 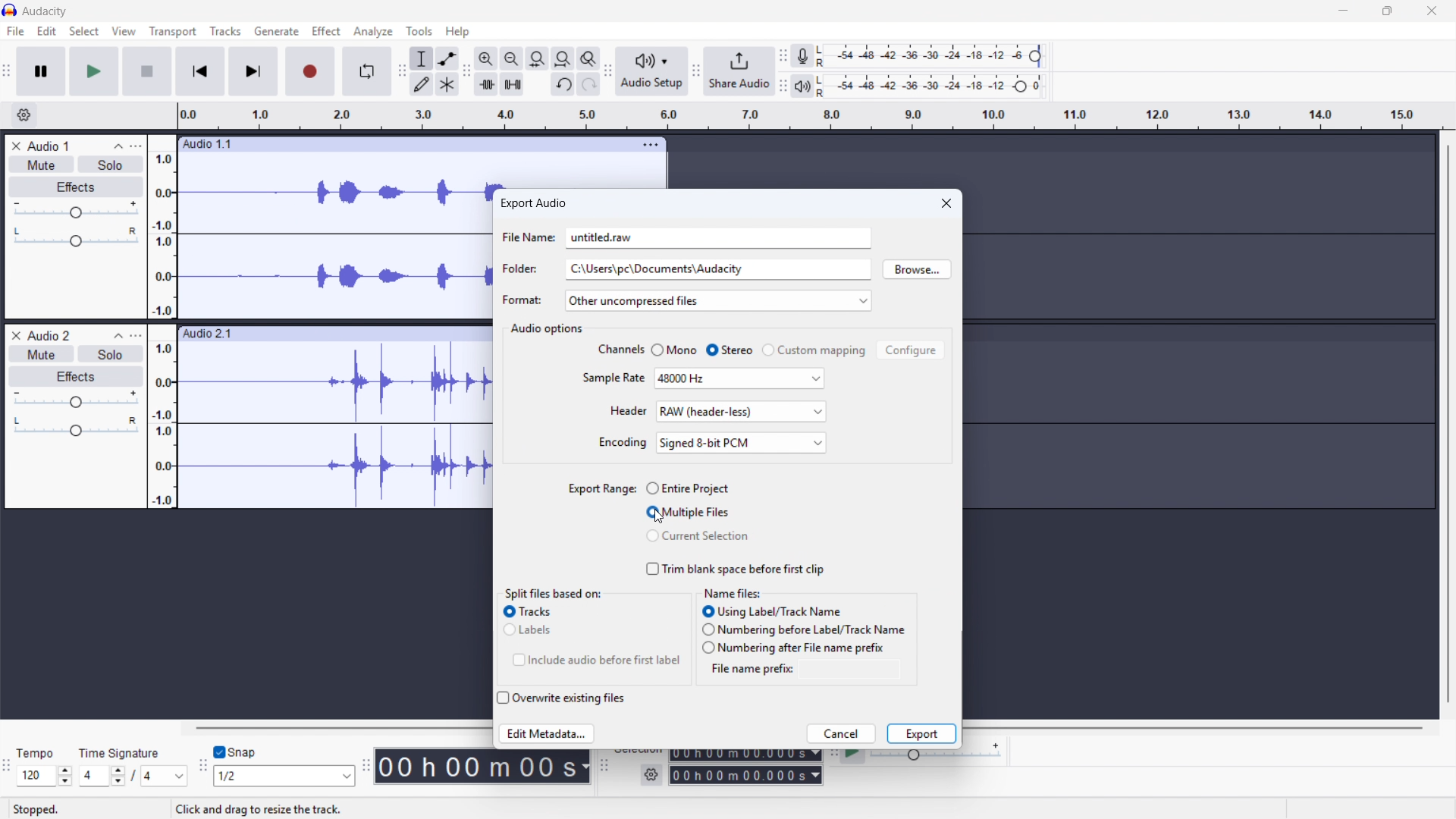 What do you see at coordinates (95, 71) in the screenshot?
I see `Play ` at bounding box center [95, 71].